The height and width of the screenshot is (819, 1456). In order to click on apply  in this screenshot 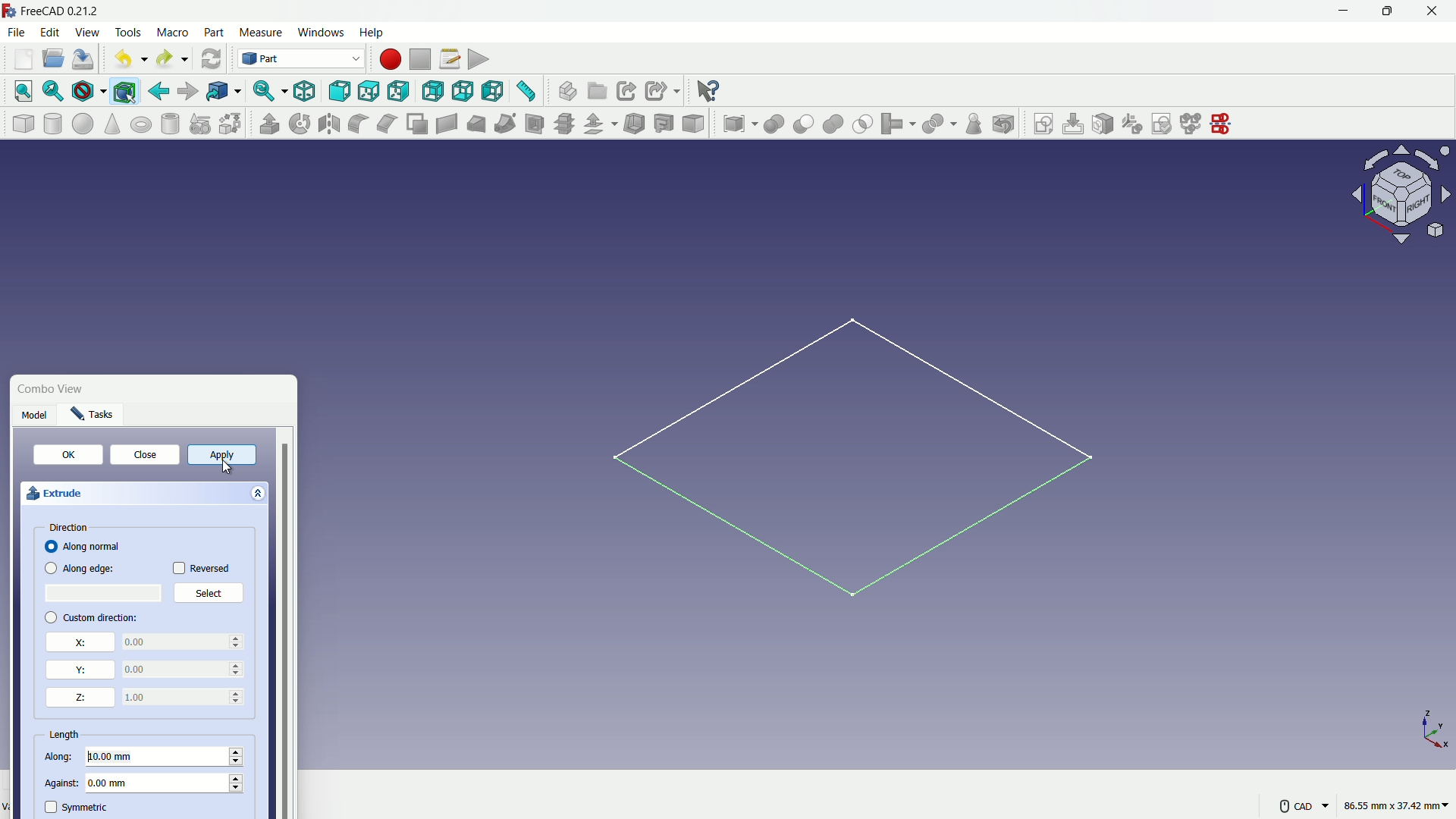, I will do `click(224, 455)`.